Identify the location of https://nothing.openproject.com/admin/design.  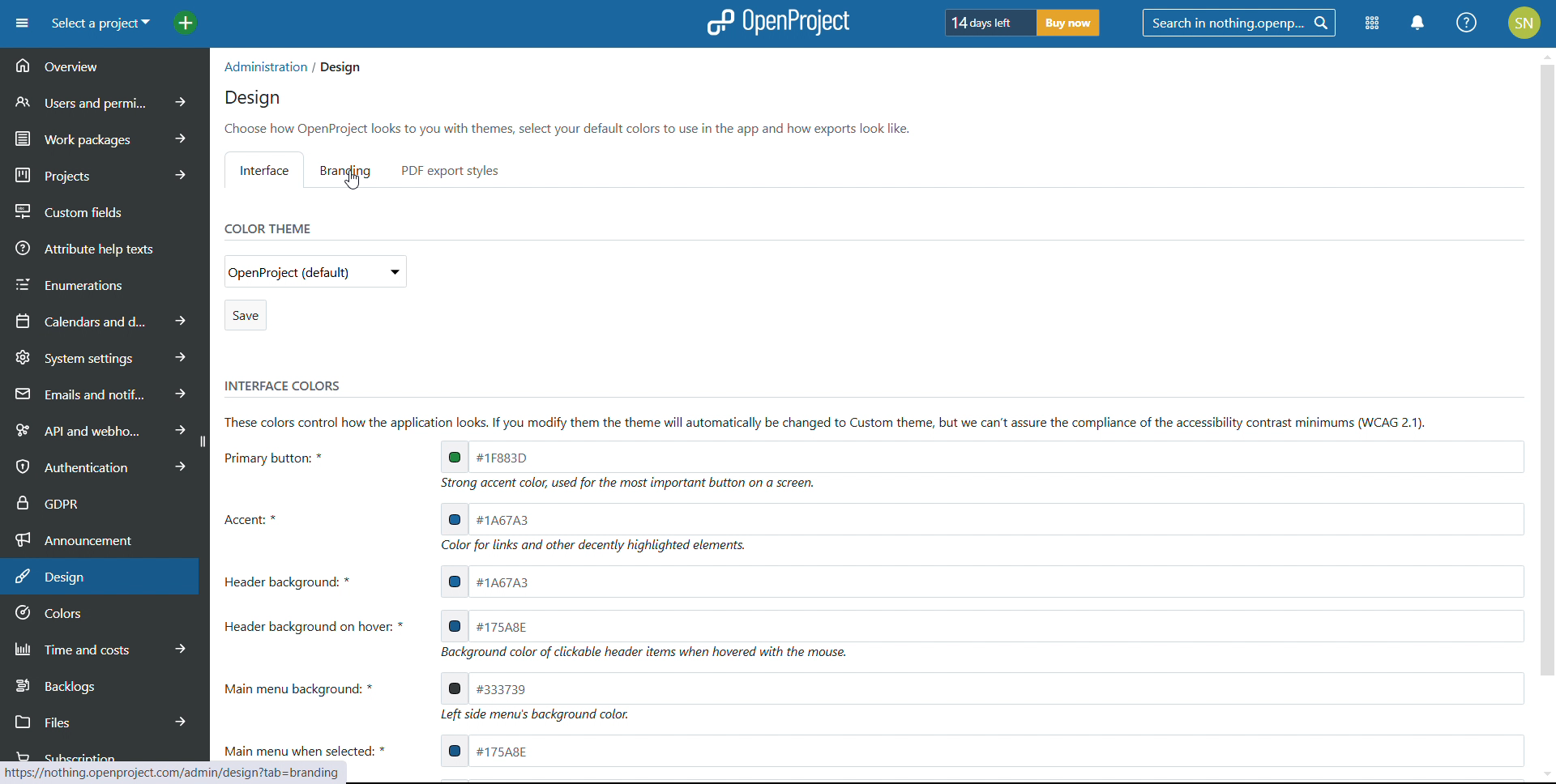
(135, 771).